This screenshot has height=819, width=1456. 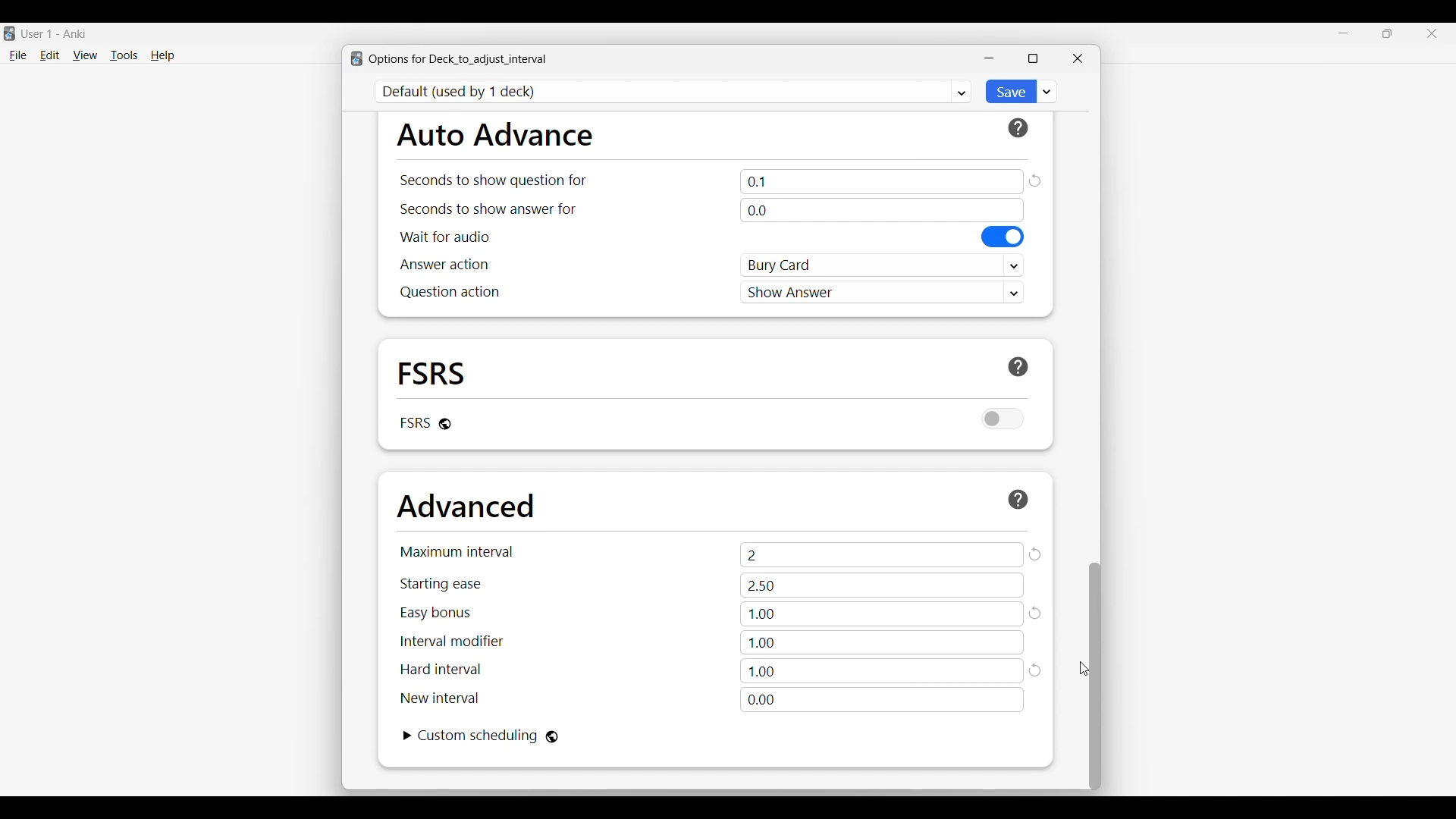 What do you see at coordinates (883, 291) in the screenshot?
I see `Show Answer` at bounding box center [883, 291].